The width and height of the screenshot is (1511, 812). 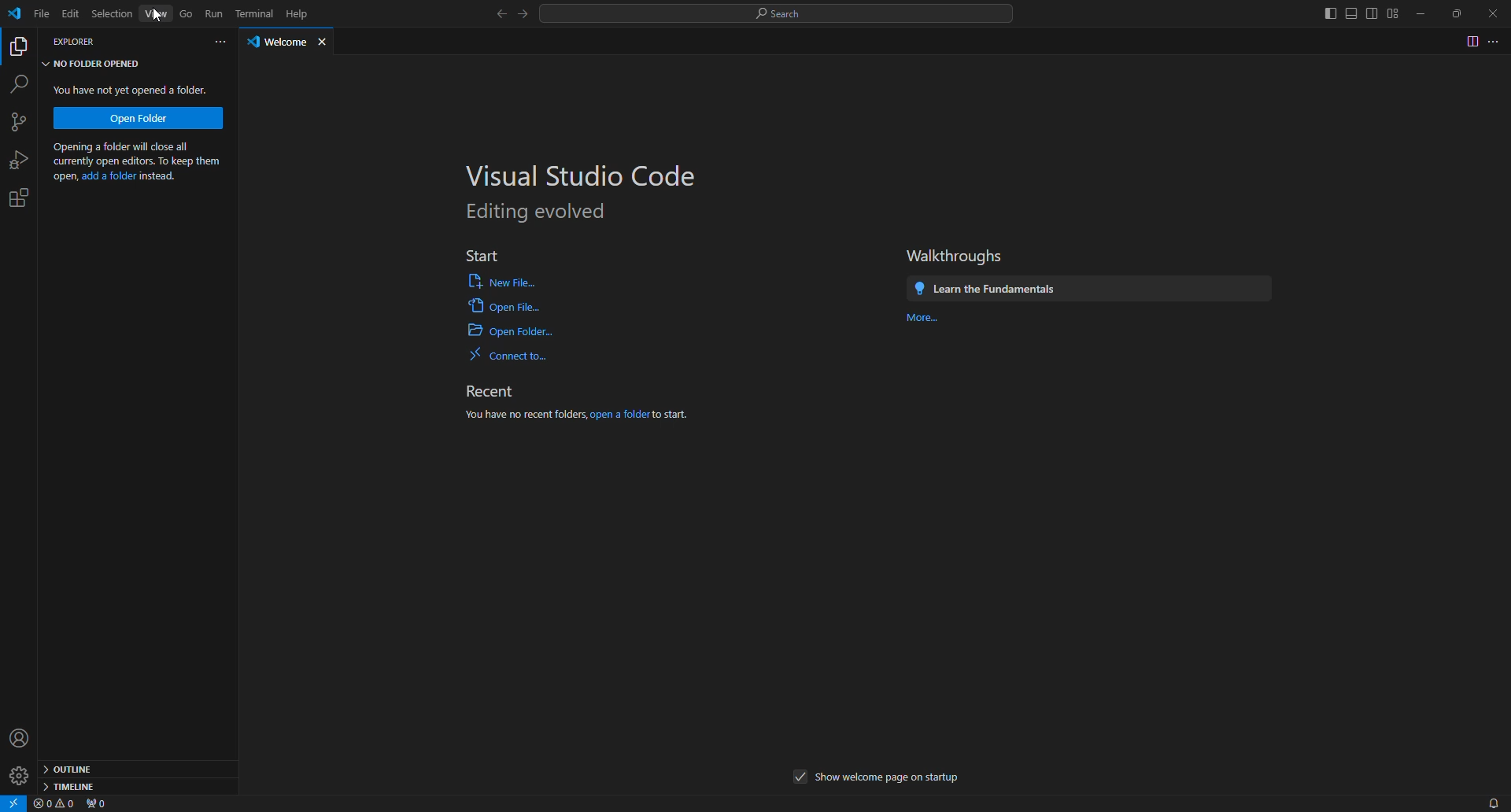 I want to click on logo, so click(x=17, y=15).